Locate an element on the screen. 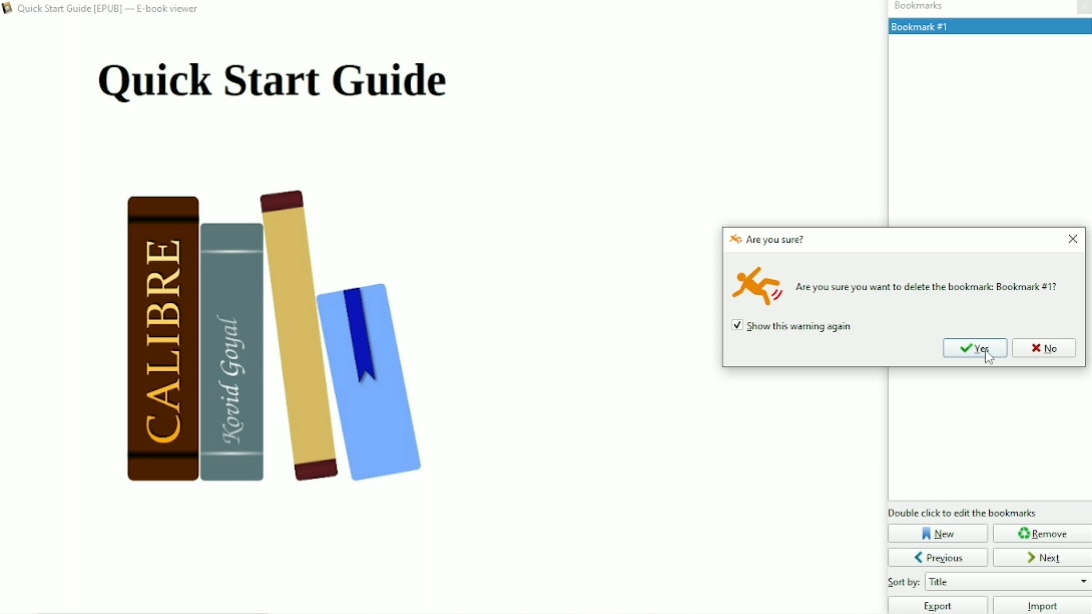 Image resolution: width=1092 pixels, height=614 pixels. cursor is located at coordinates (988, 358).